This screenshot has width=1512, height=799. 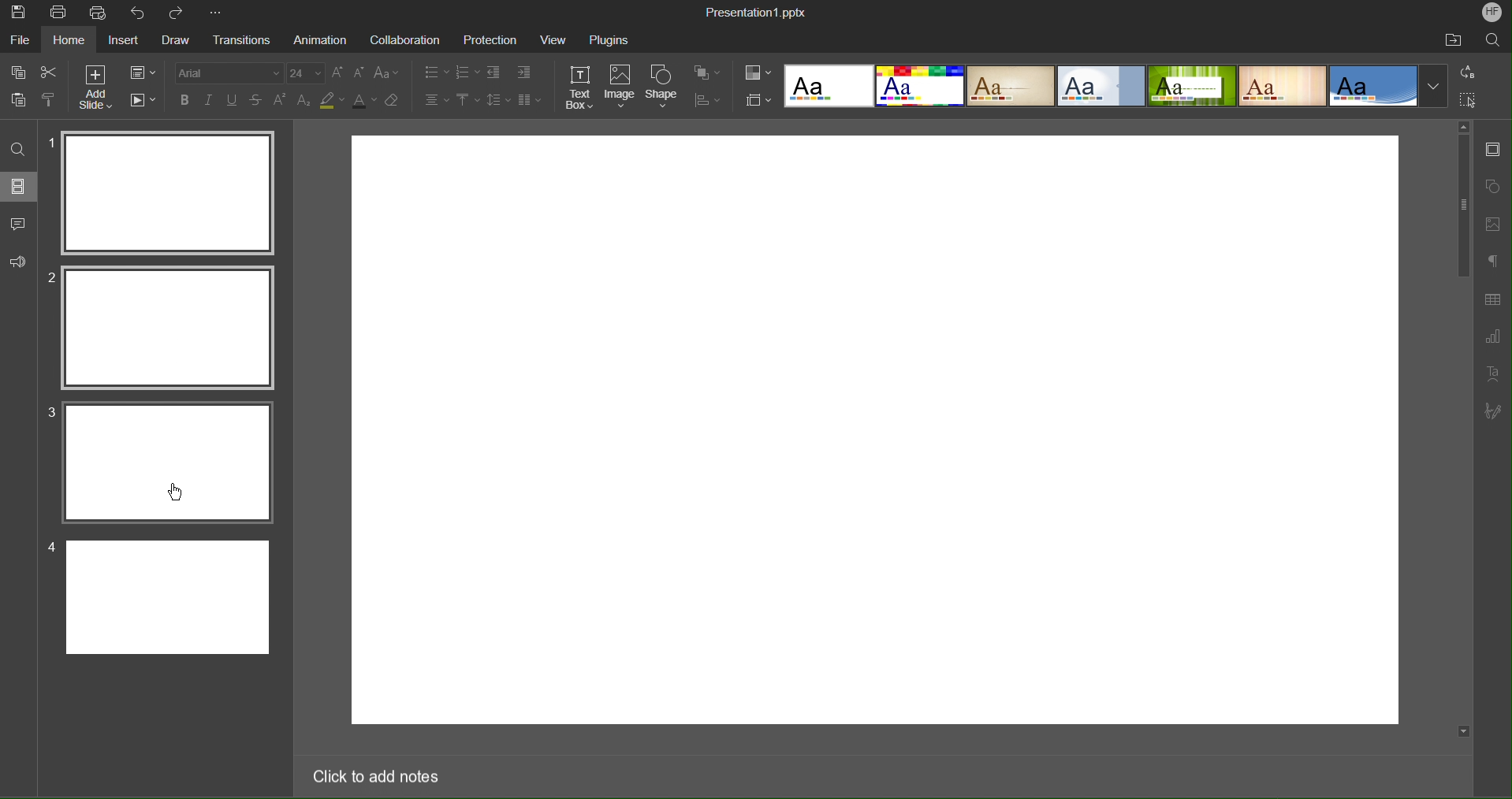 I want to click on underline, so click(x=233, y=98).